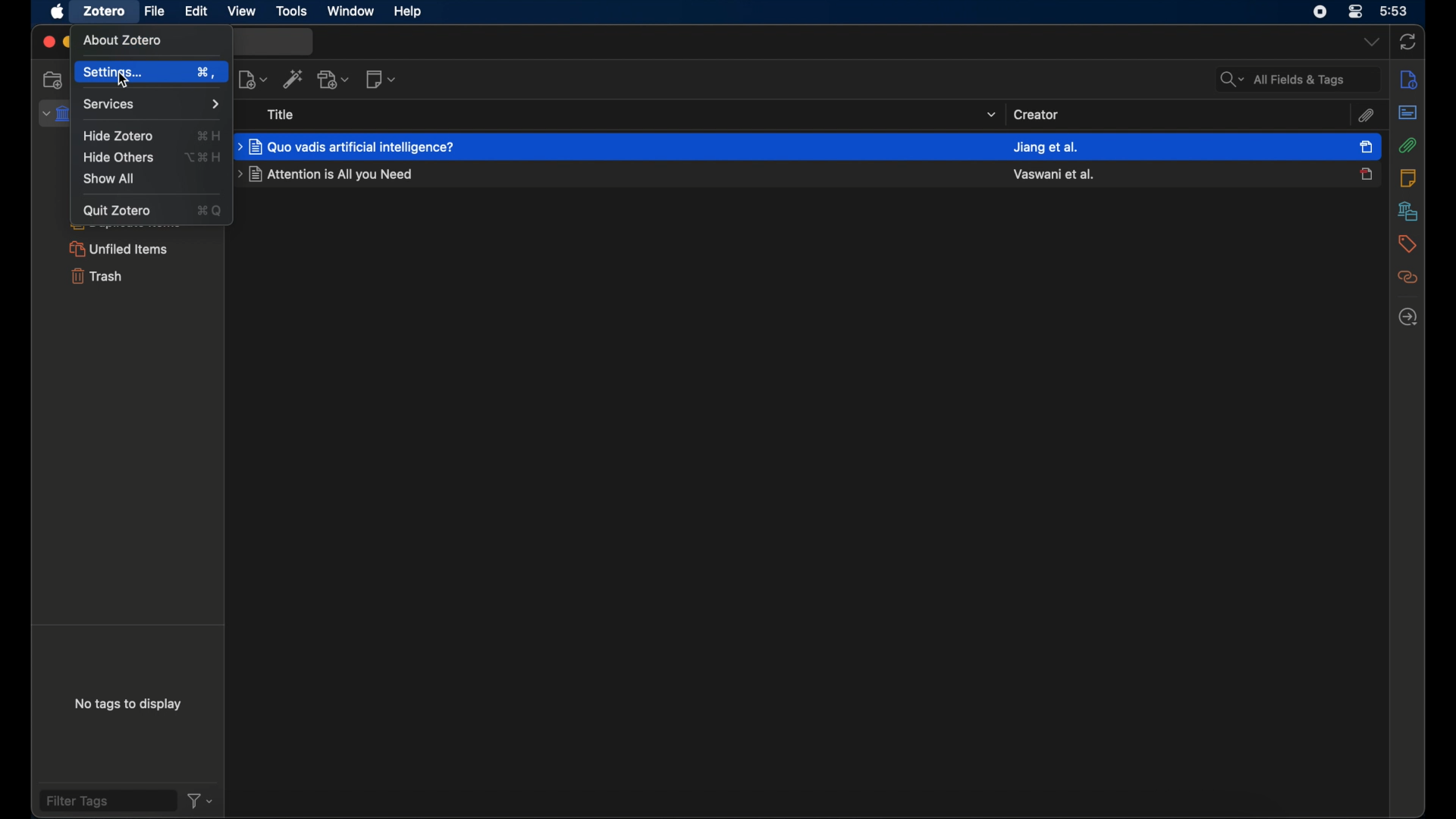 The height and width of the screenshot is (819, 1456). I want to click on unified items, so click(120, 249).